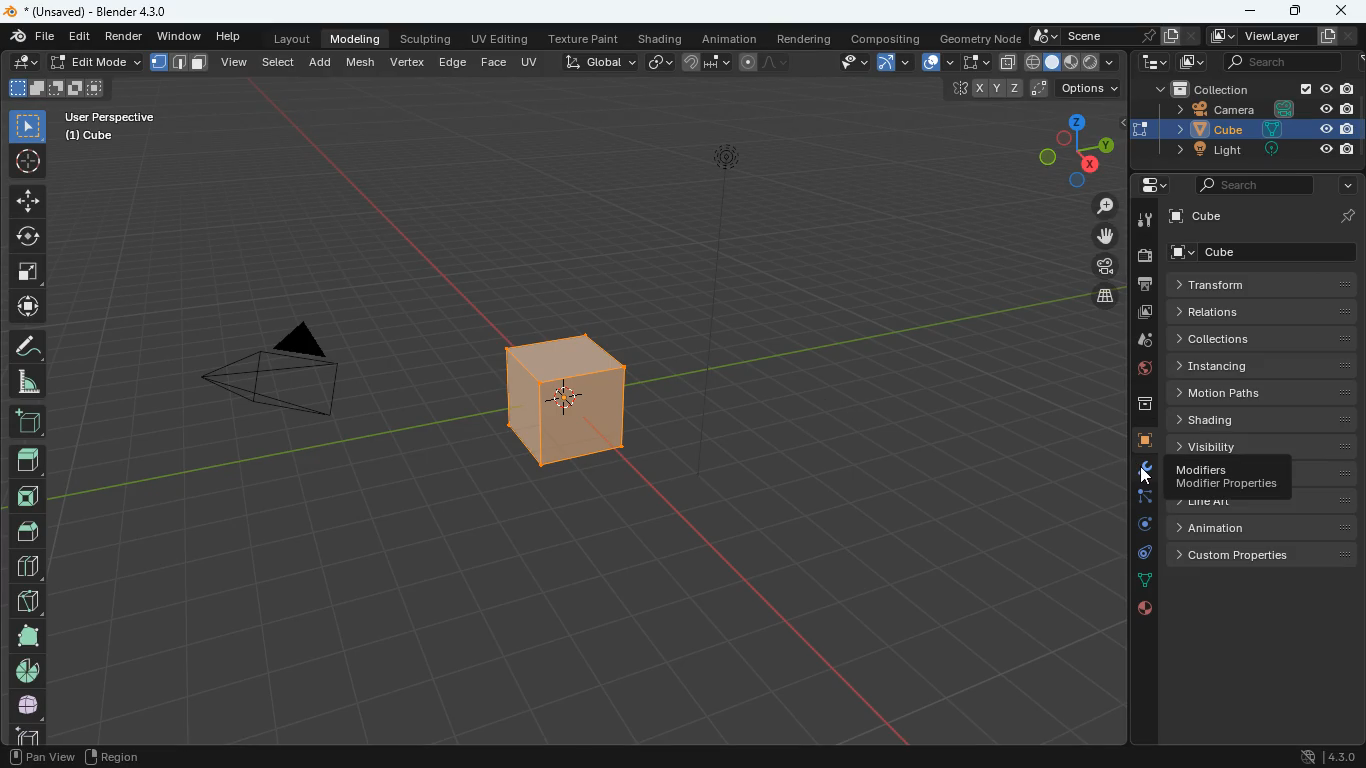 Image resolution: width=1366 pixels, height=768 pixels. What do you see at coordinates (23, 61) in the screenshot?
I see `edit` at bounding box center [23, 61].